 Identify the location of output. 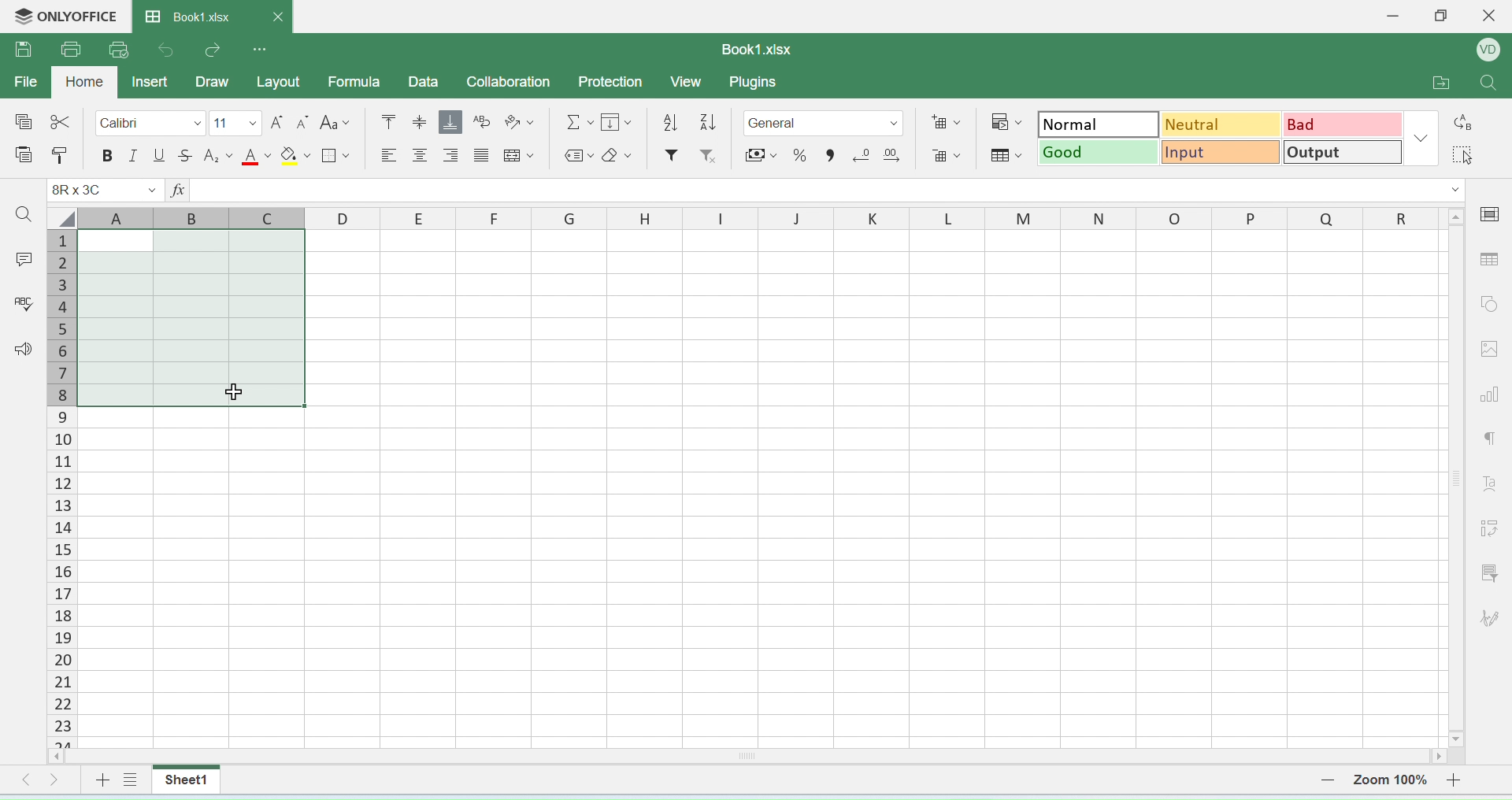
(1343, 152).